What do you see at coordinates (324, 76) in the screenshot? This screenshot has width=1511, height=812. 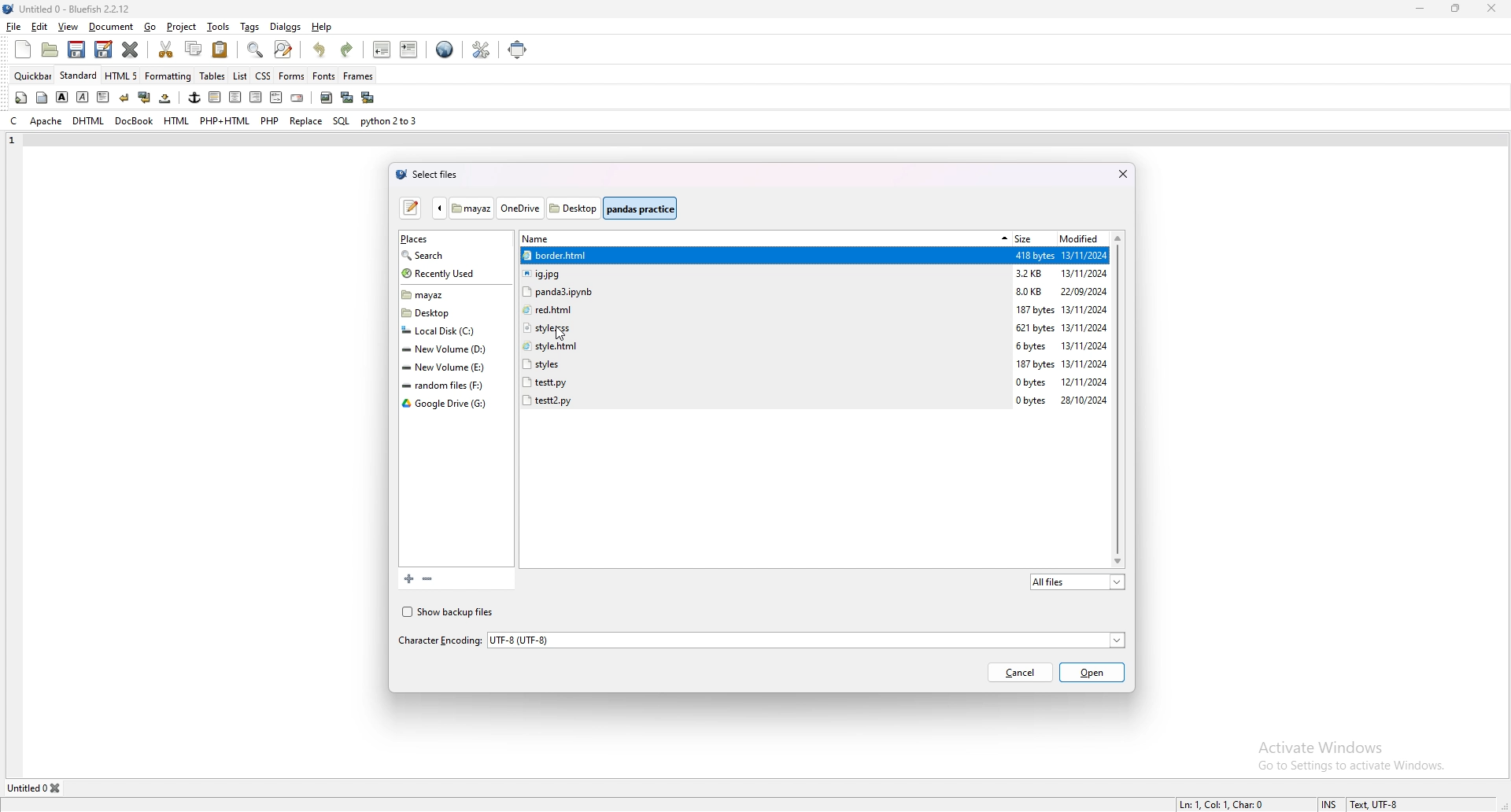 I see `fonts` at bounding box center [324, 76].